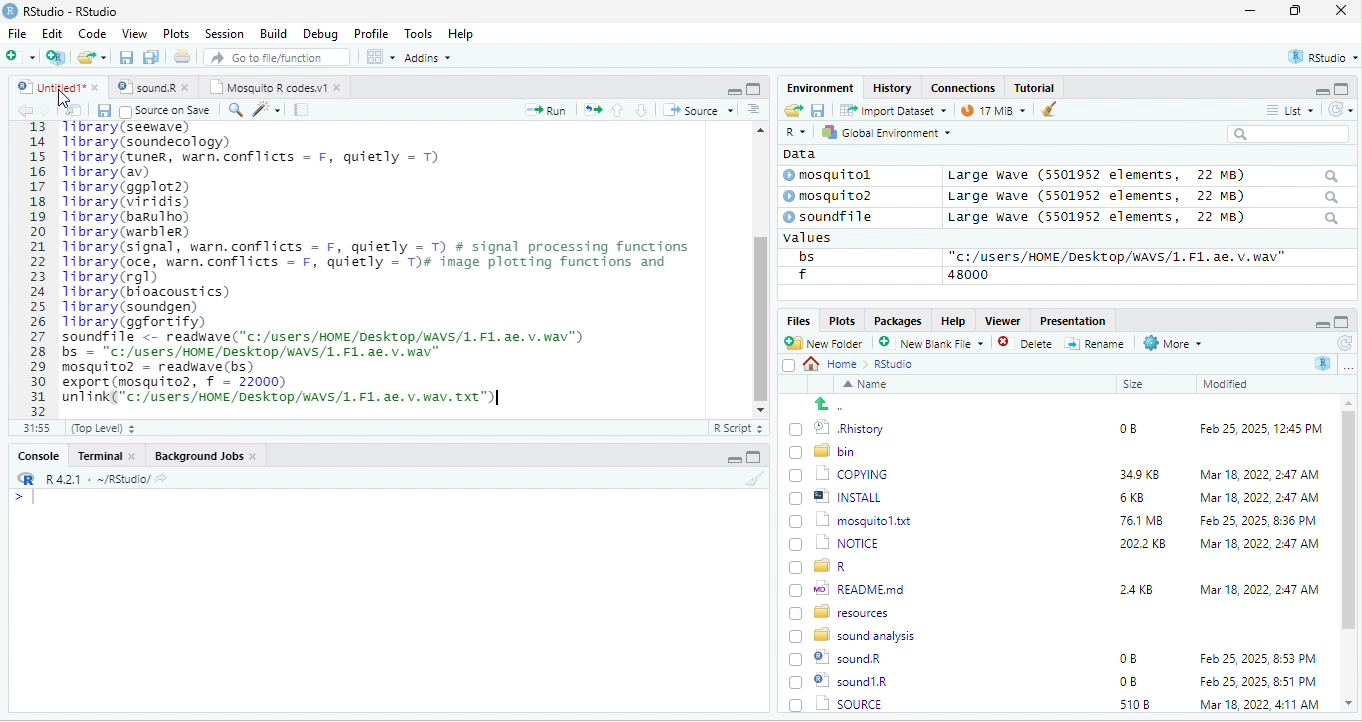 This screenshot has width=1362, height=722. Describe the element at coordinates (419, 33) in the screenshot. I see `Tools` at that location.